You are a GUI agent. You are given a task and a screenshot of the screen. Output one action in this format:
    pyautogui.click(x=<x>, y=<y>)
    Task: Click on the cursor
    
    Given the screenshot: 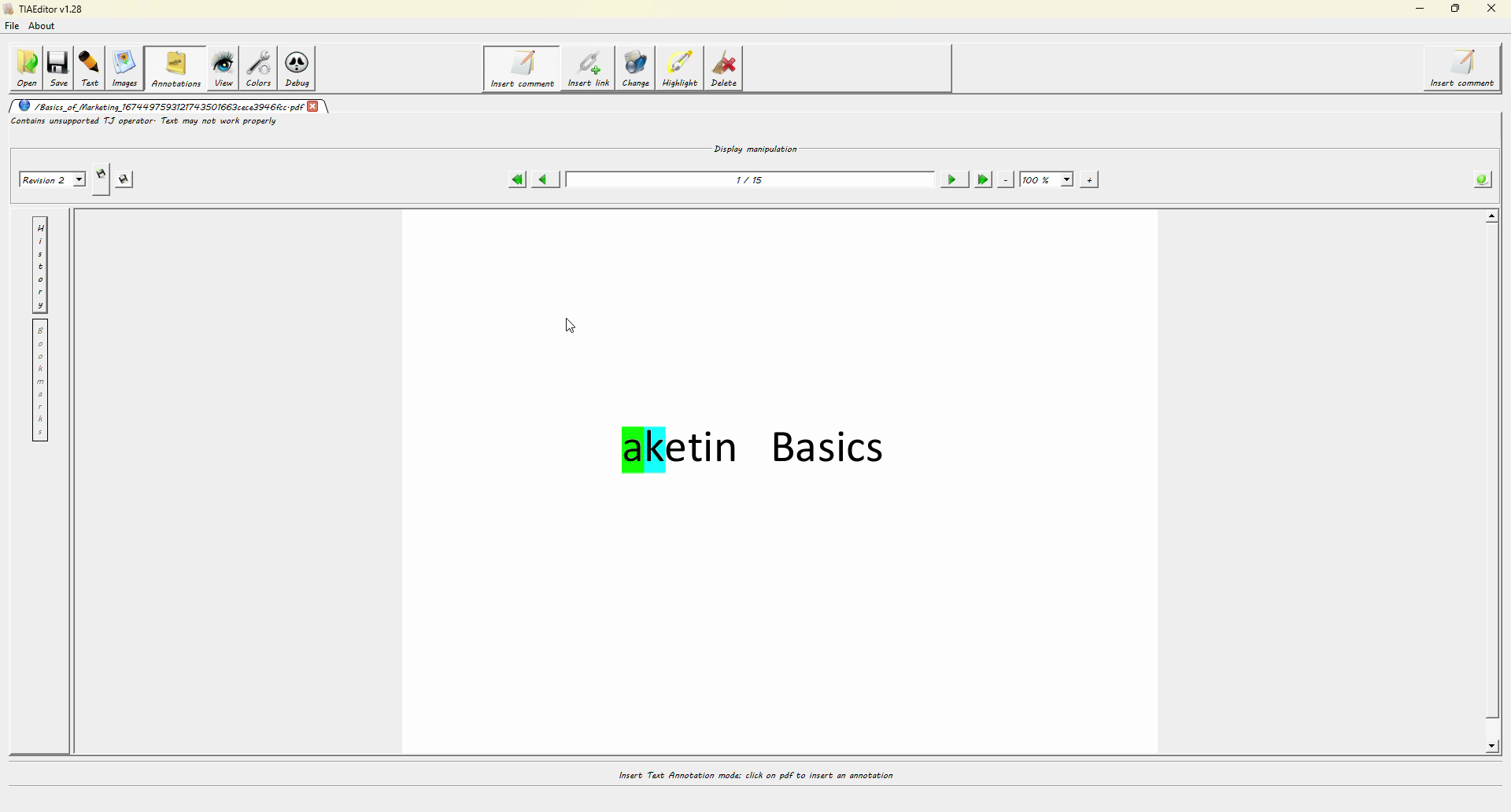 What is the action you would take?
    pyautogui.click(x=531, y=76)
    